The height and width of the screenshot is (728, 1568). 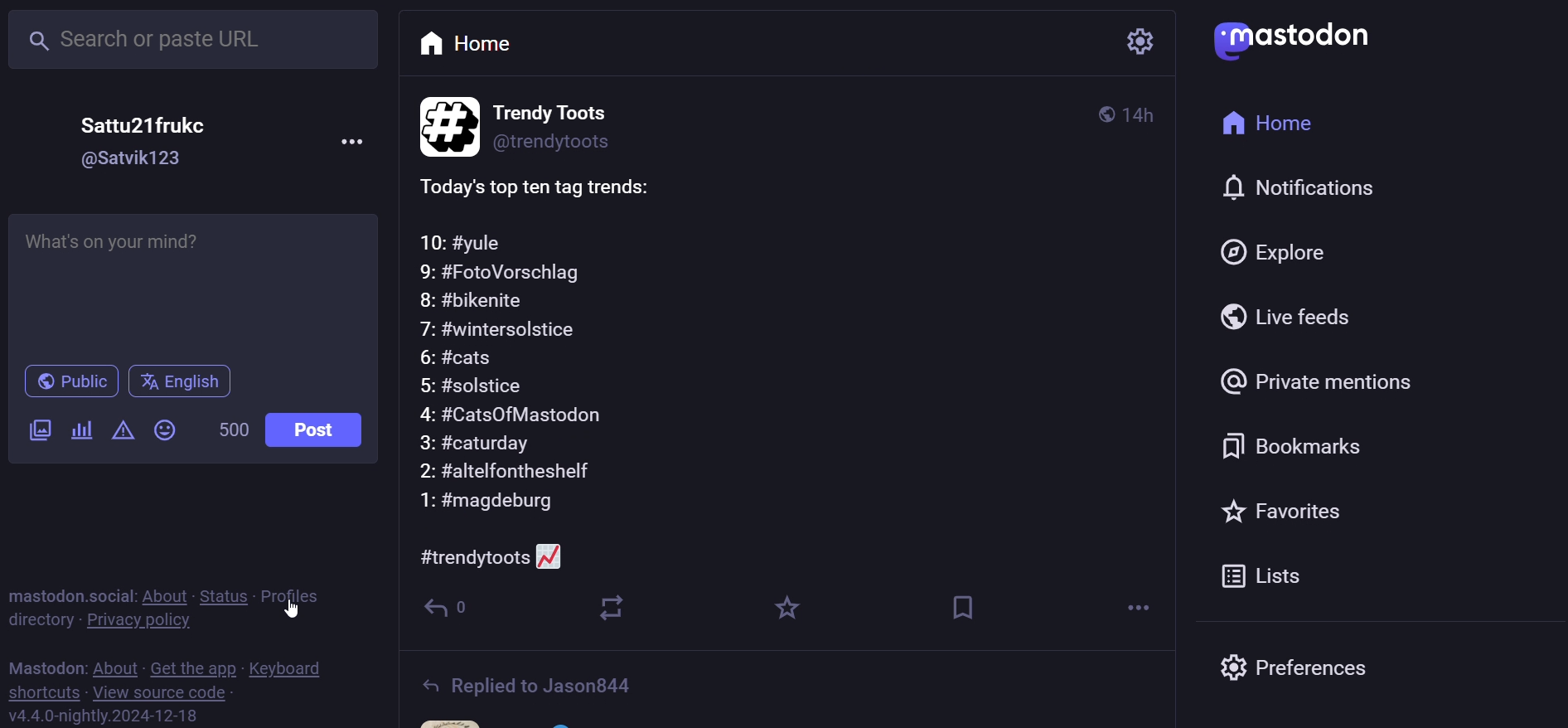 What do you see at coordinates (115, 667) in the screenshot?
I see `about` at bounding box center [115, 667].